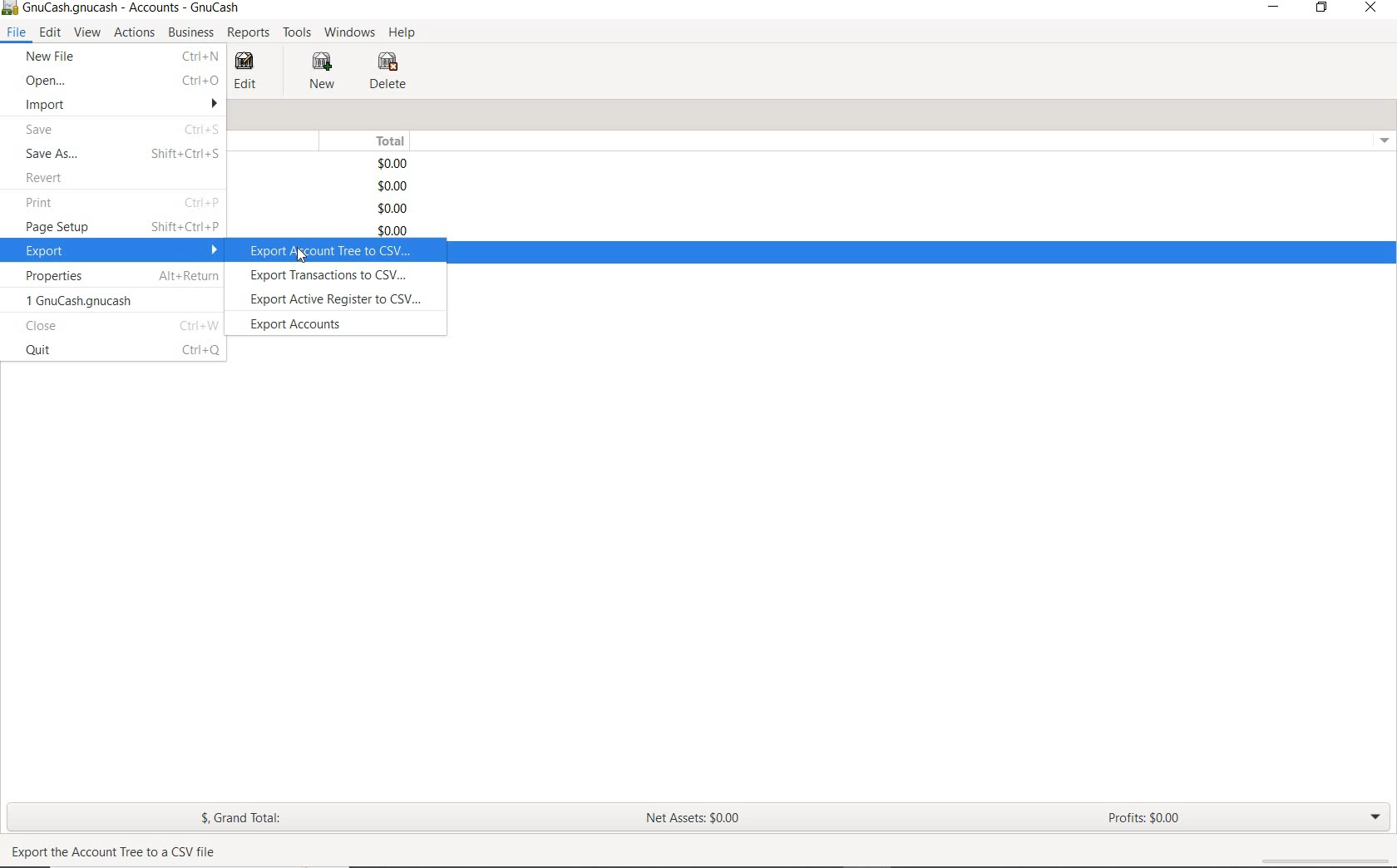 The width and height of the screenshot is (1397, 868). What do you see at coordinates (203, 204) in the screenshot?
I see `Ctrl+P` at bounding box center [203, 204].